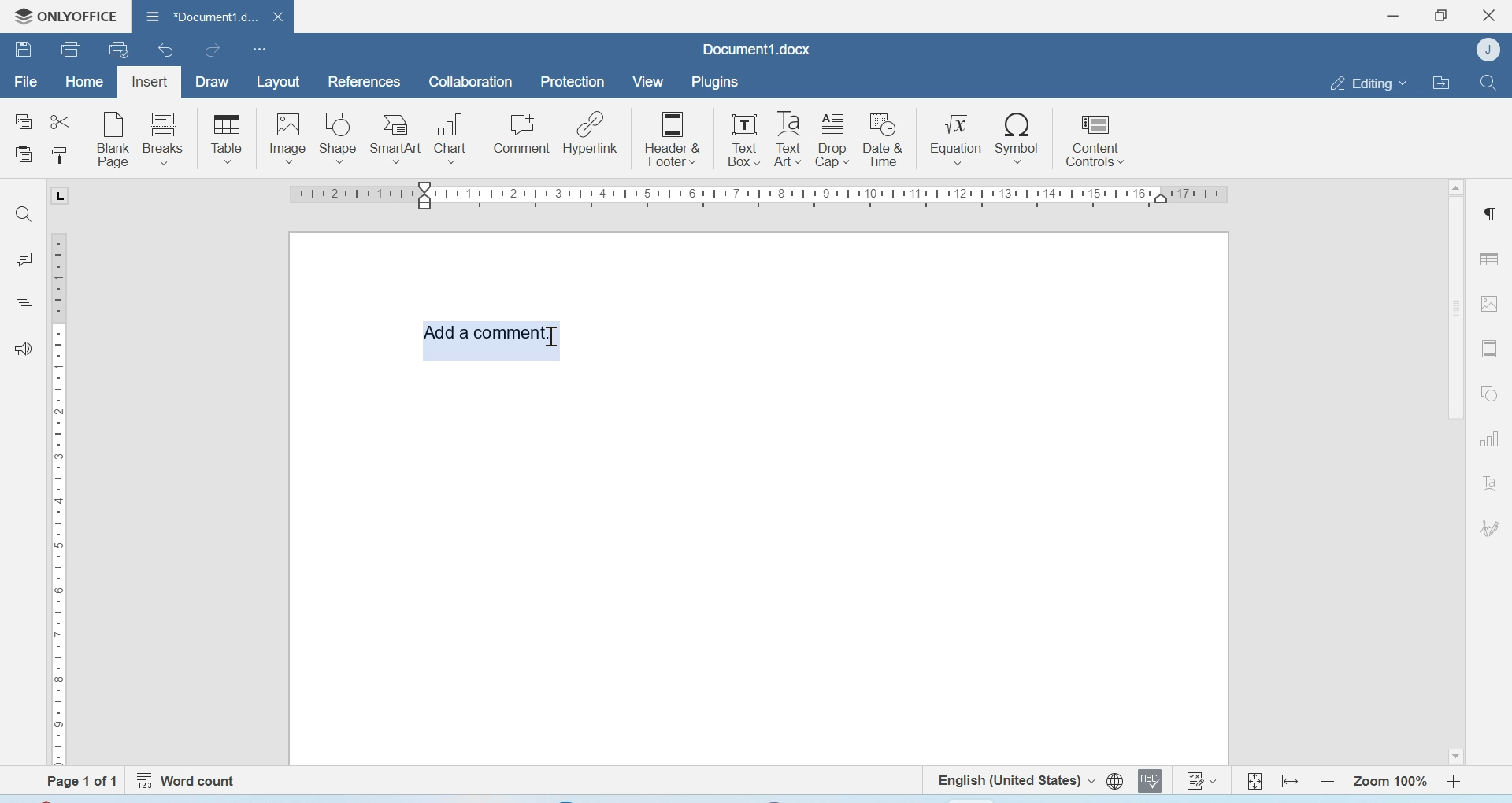 The image size is (1512, 803). I want to click on Header & Footer, so click(673, 137).